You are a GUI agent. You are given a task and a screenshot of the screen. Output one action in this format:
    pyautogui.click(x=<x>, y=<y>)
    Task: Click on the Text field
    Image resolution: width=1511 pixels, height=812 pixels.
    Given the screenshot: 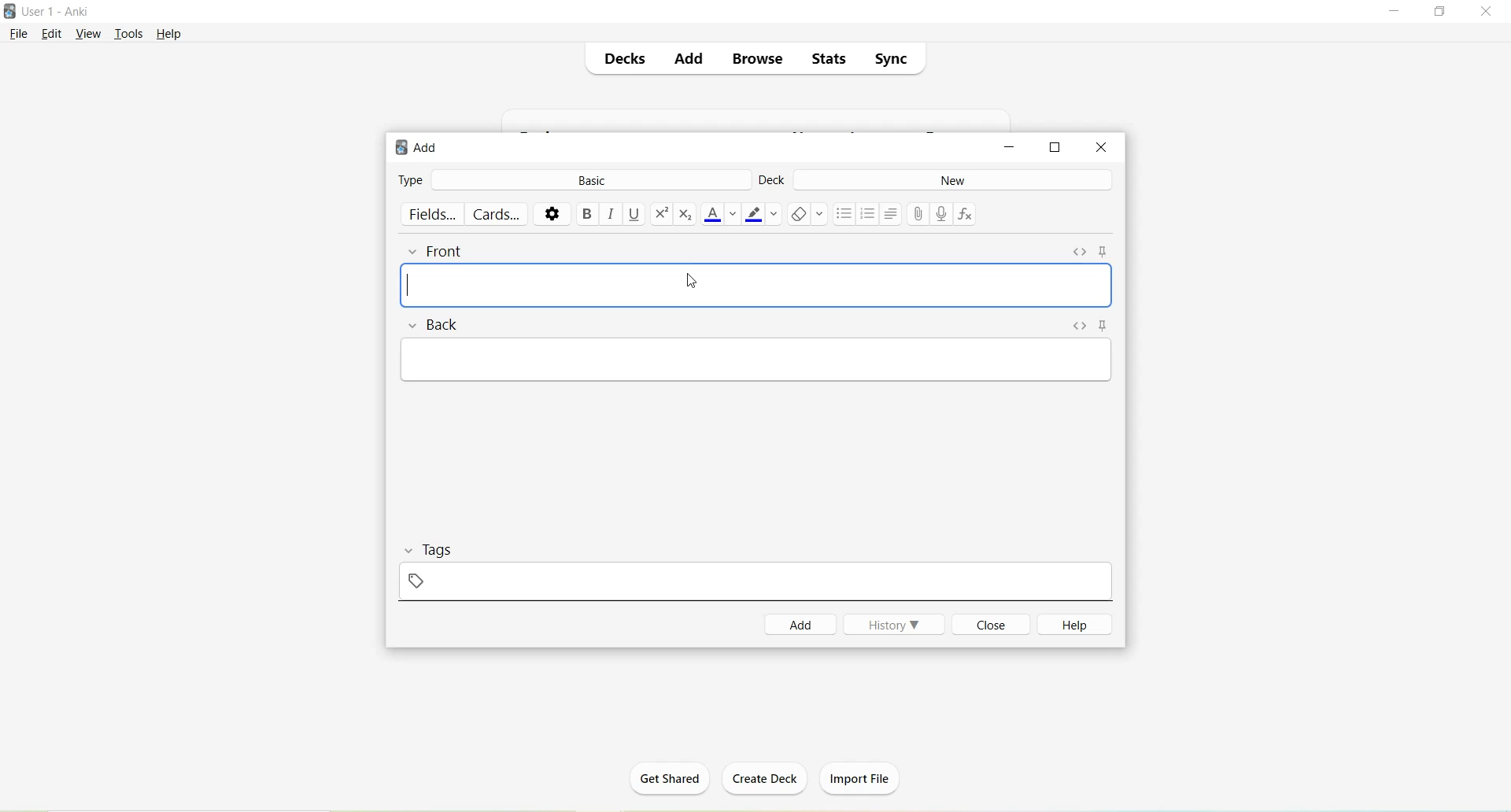 What is the action you would take?
    pyautogui.click(x=756, y=286)
    